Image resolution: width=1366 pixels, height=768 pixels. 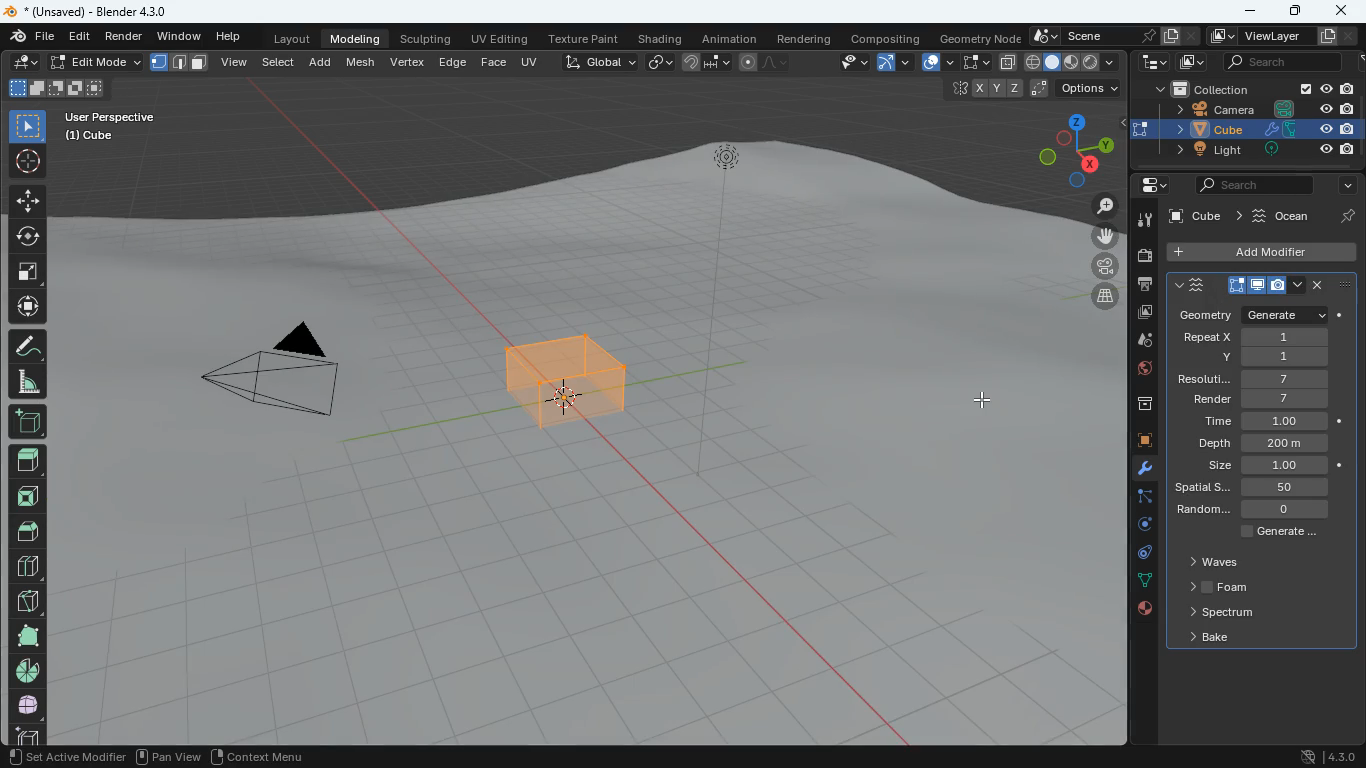 I want to click on time, so click(x=1266, y=419).